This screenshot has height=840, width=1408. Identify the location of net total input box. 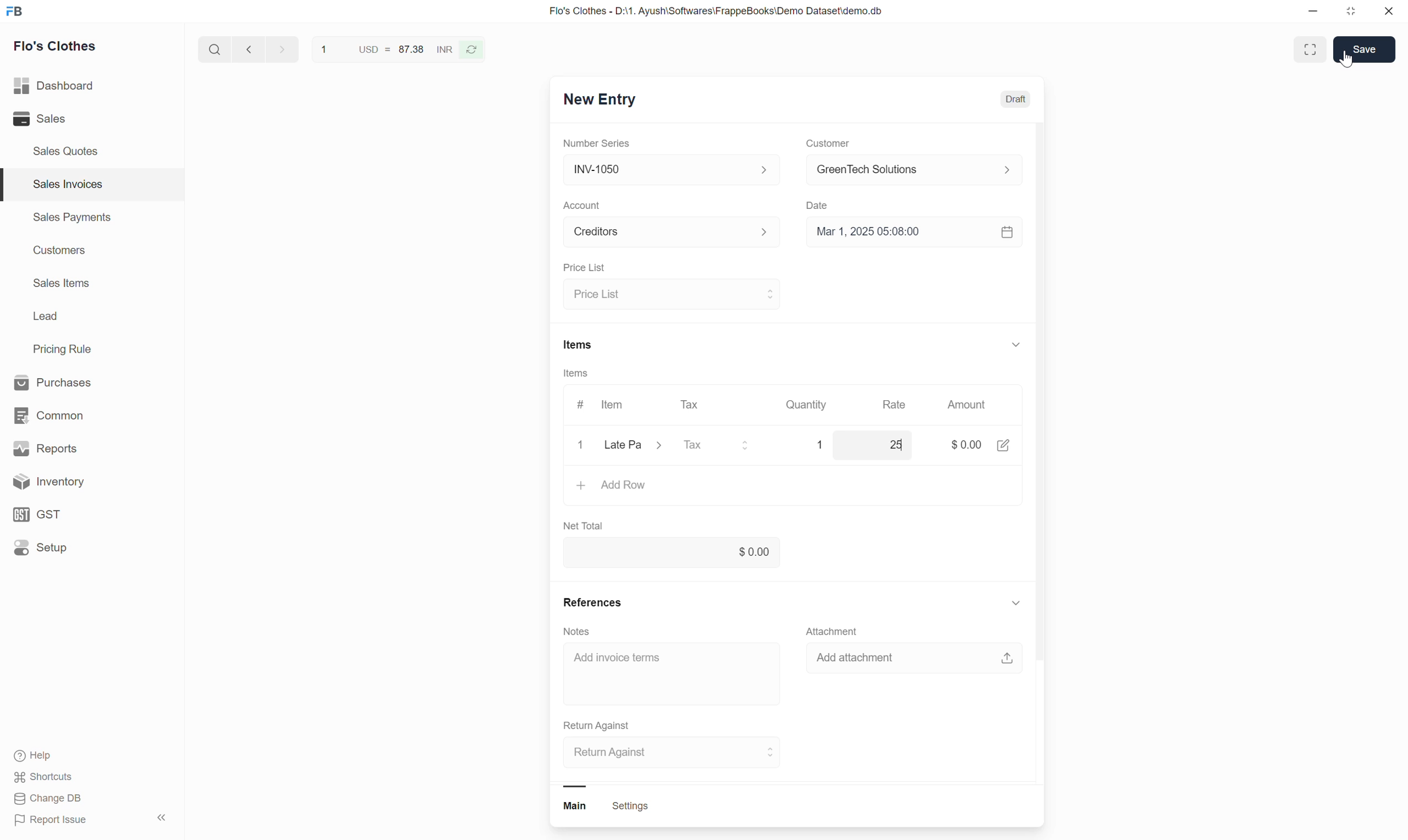
(781, 551).